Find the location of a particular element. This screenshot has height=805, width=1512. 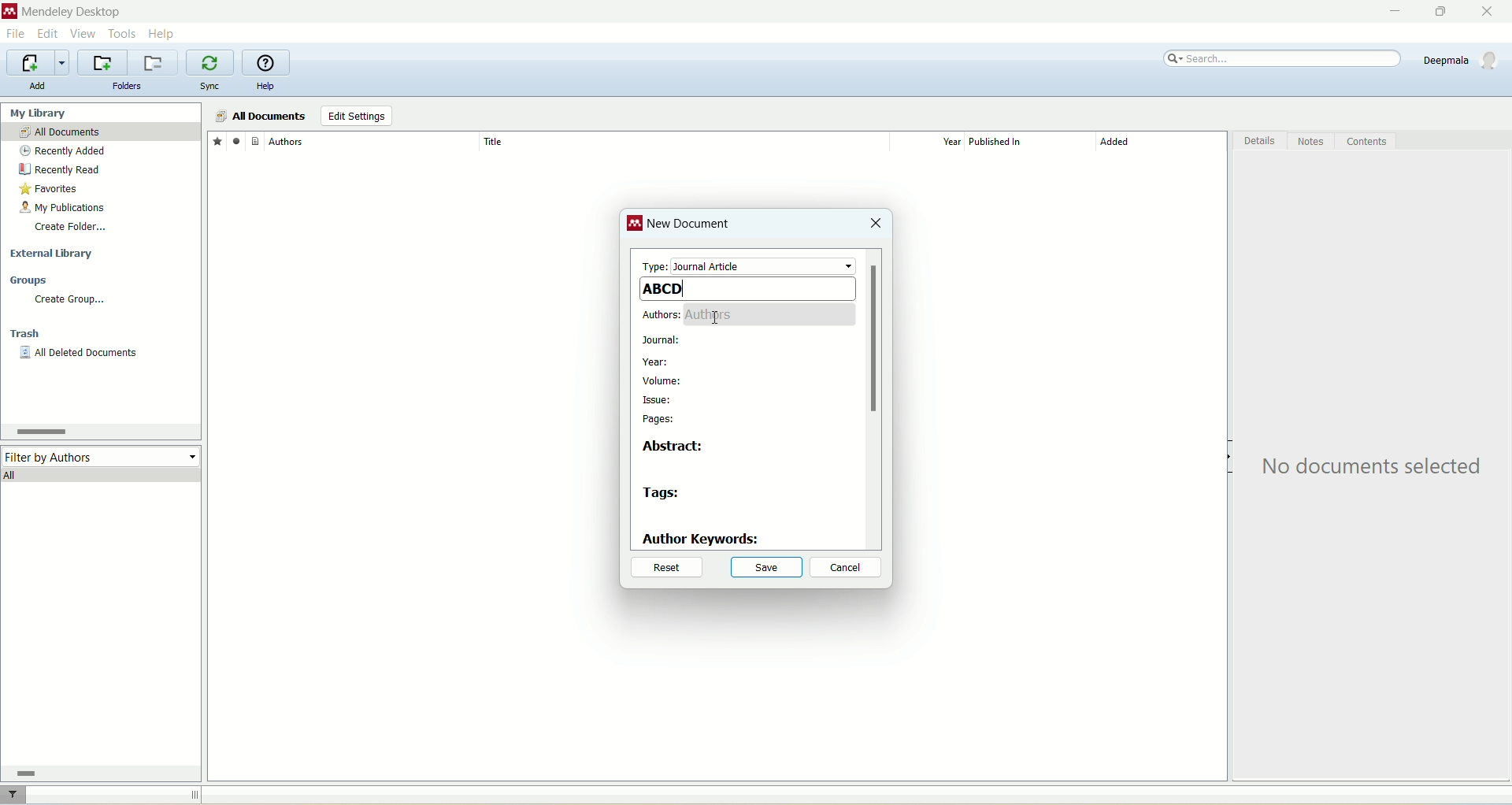

all documents is located at coordinates (260, 117).